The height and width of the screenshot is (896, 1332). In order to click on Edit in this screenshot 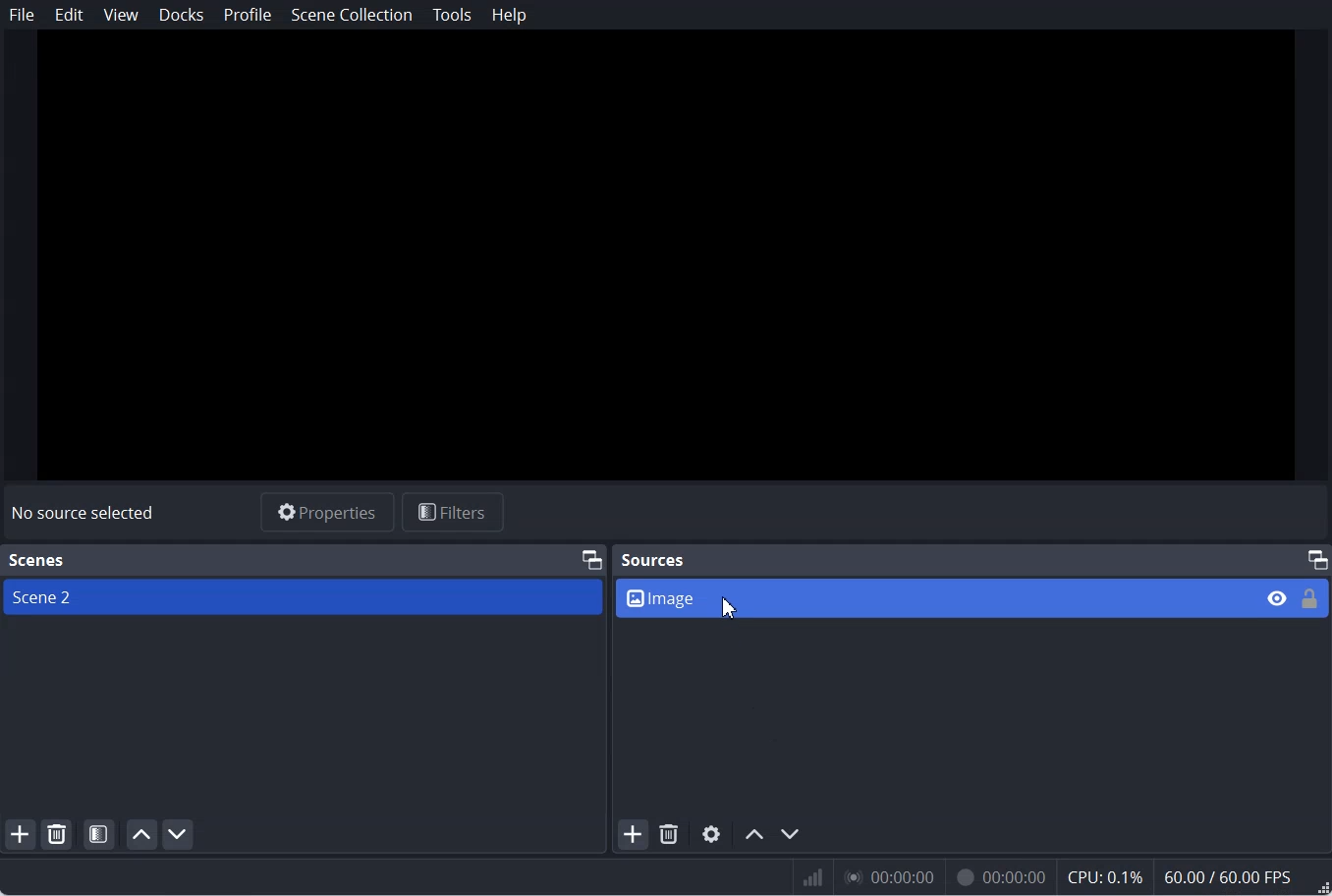, I will do `click(70, 15)`.